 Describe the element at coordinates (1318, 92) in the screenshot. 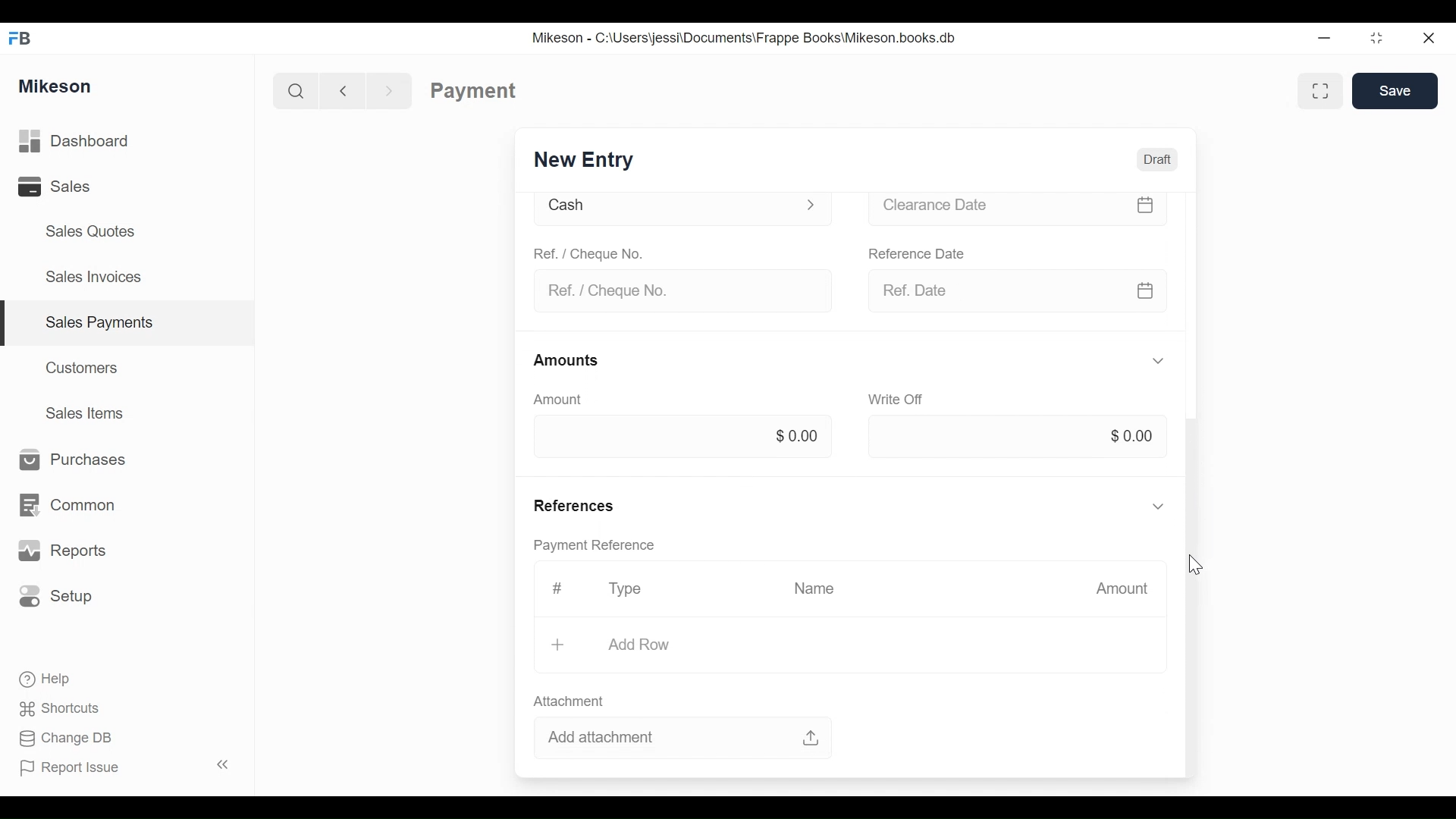

I see `Full width toggle` at that location.